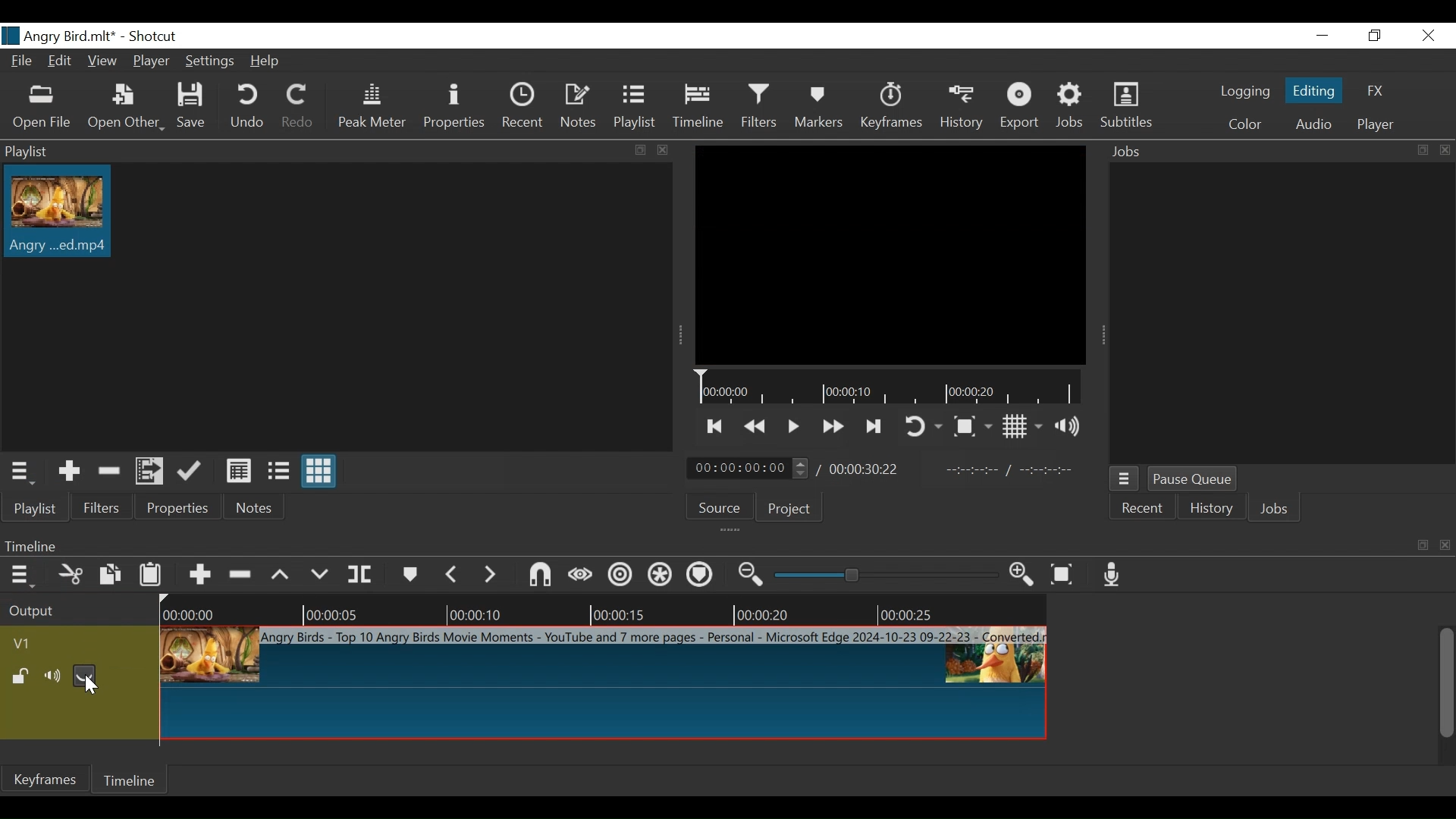 This screenshot has height=819, width=1456. I want to click on Zoom slider, so click(886, 575).